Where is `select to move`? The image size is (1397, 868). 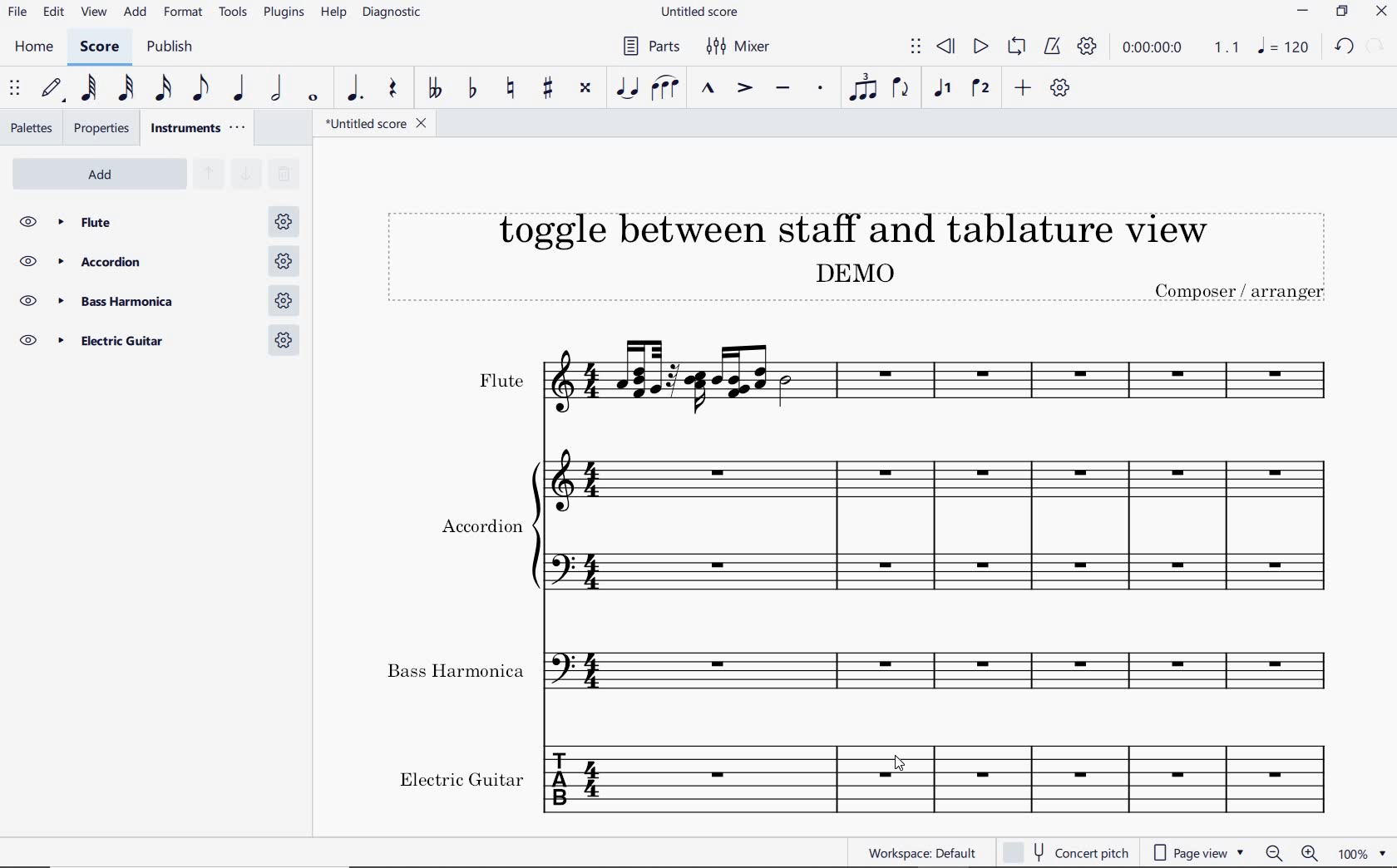 select to move is located at coordinates (916, 47).